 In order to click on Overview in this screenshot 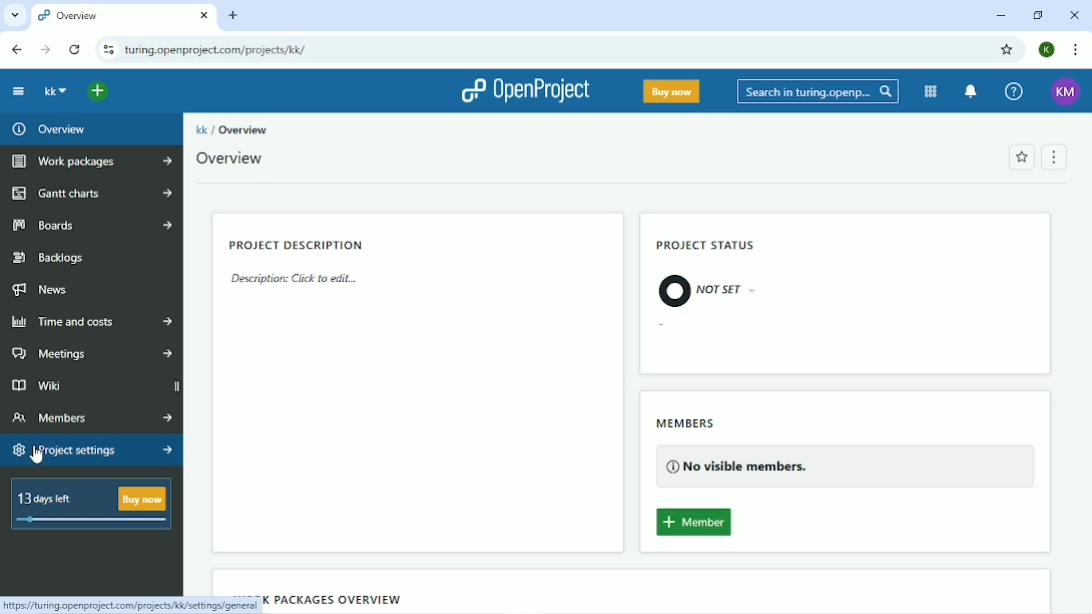, I will do `click(245, 129)`.